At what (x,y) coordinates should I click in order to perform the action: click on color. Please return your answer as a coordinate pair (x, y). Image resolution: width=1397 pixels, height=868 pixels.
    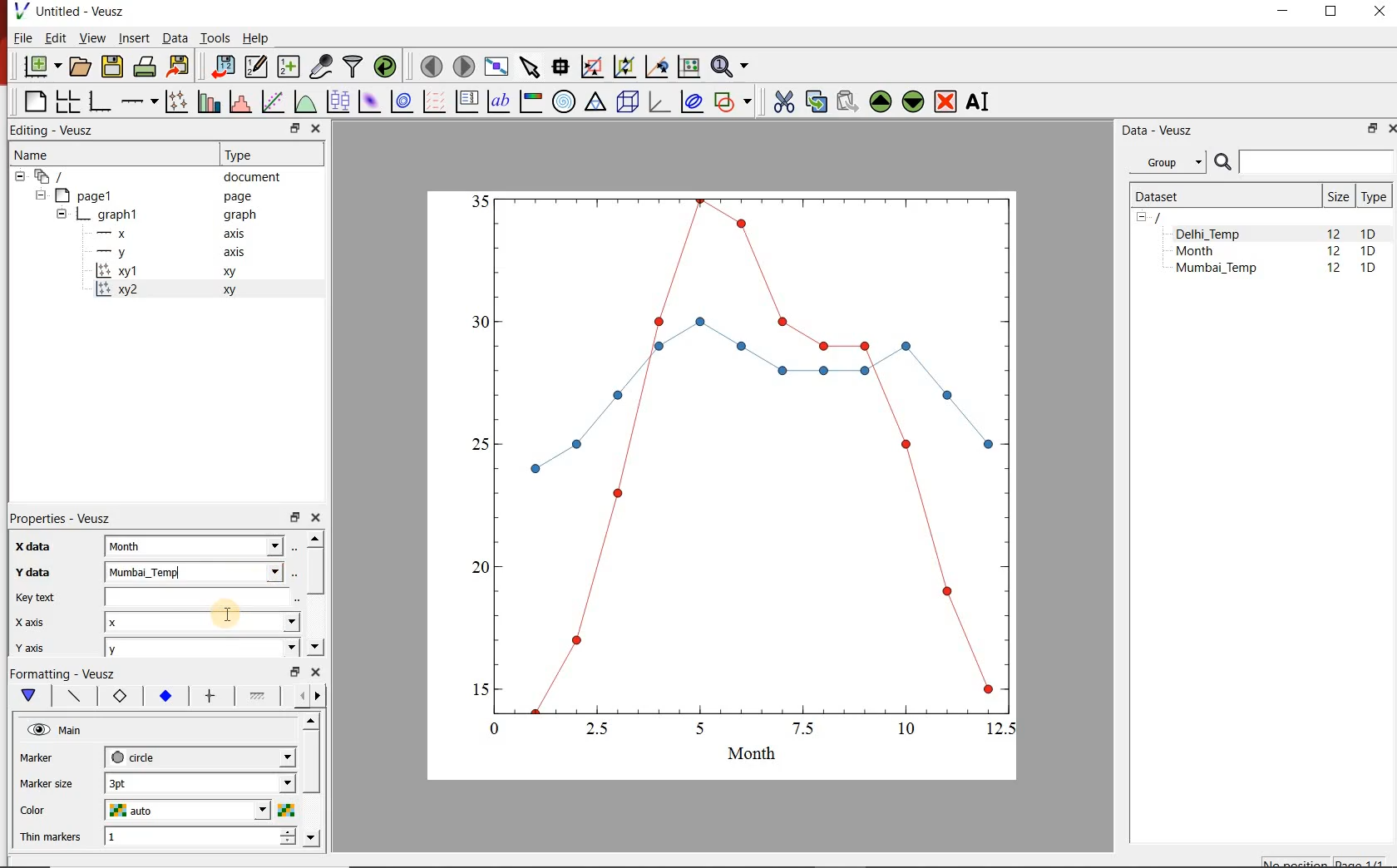
    Looking at the image, I should click on (47, 811).